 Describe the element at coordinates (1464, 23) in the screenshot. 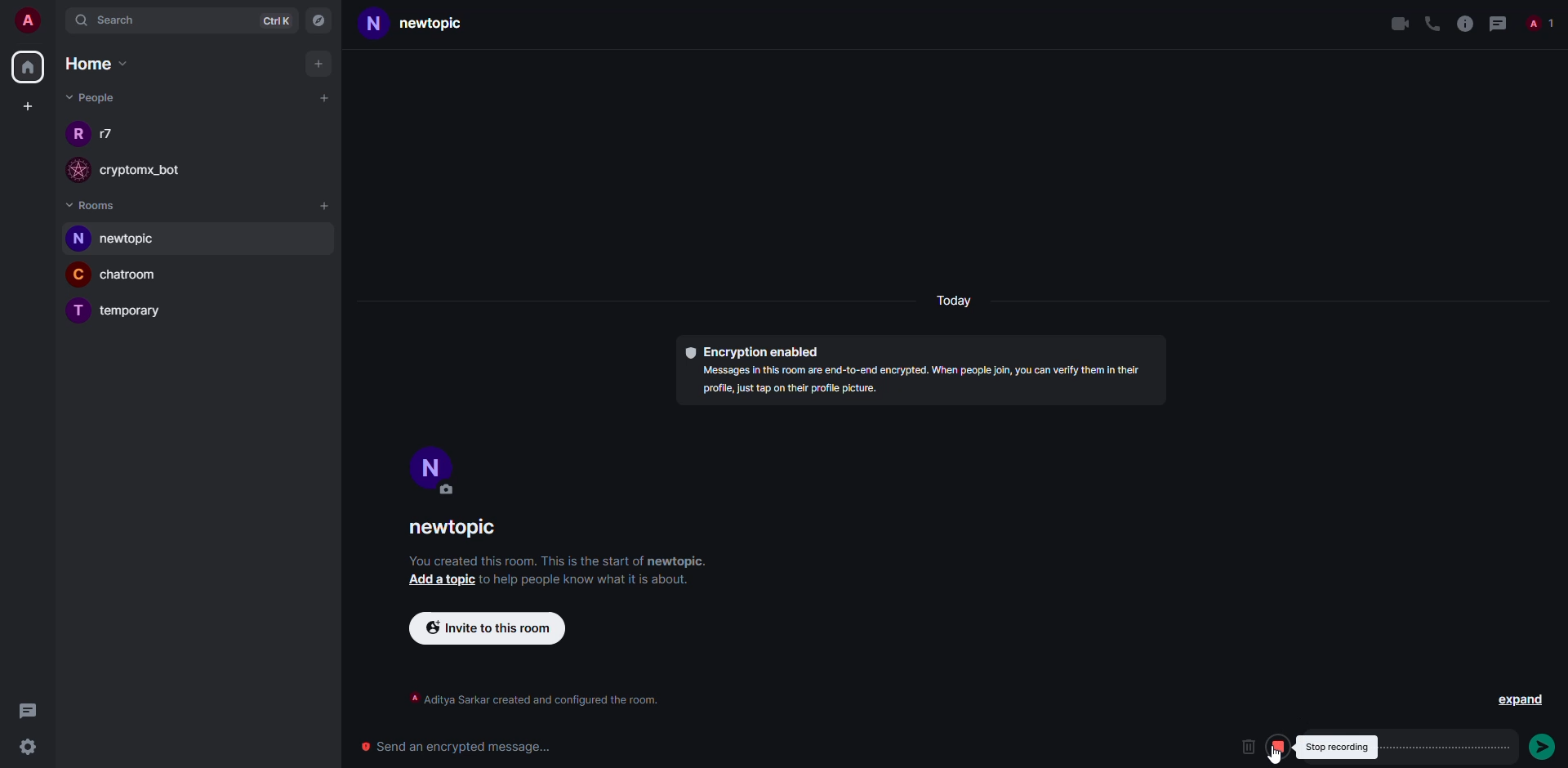

I see `info` at that location.